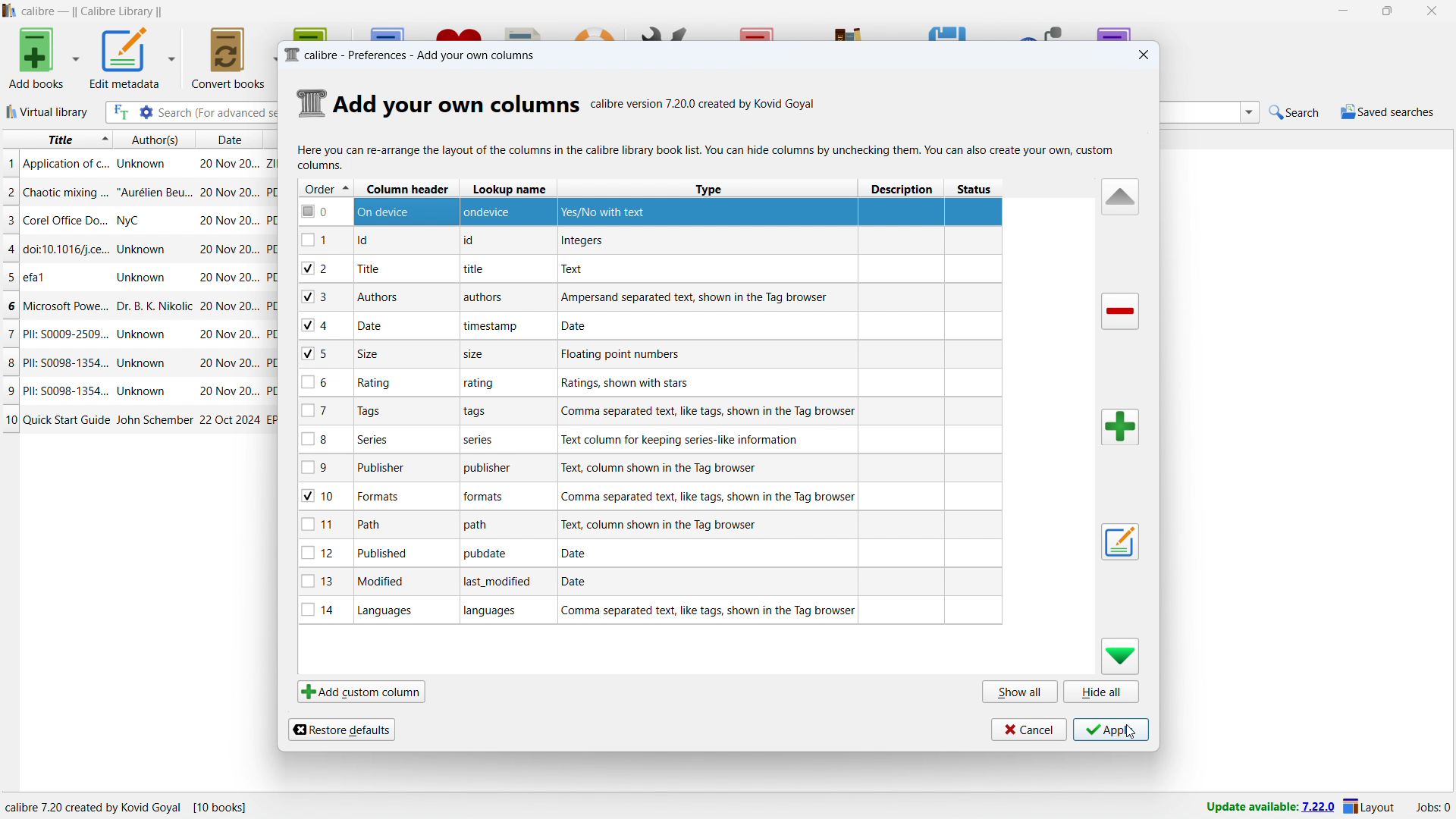 This screenshot has width=1456, height=819. Describe the element at coordinates (9, 164) in the screenshot. I see `1` at that location.